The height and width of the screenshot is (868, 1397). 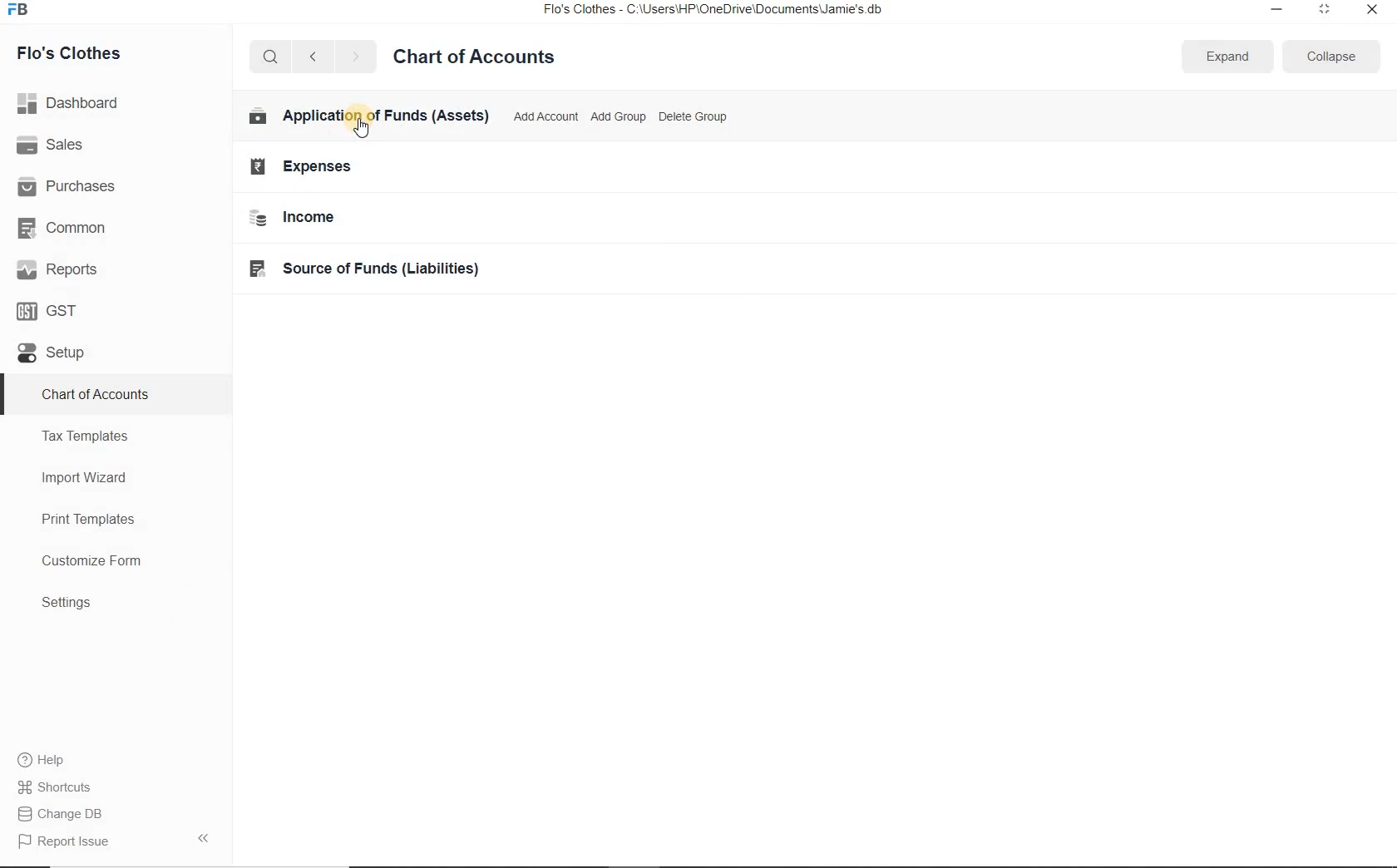 I want to click on Expenses, so click(x=313, y=166).